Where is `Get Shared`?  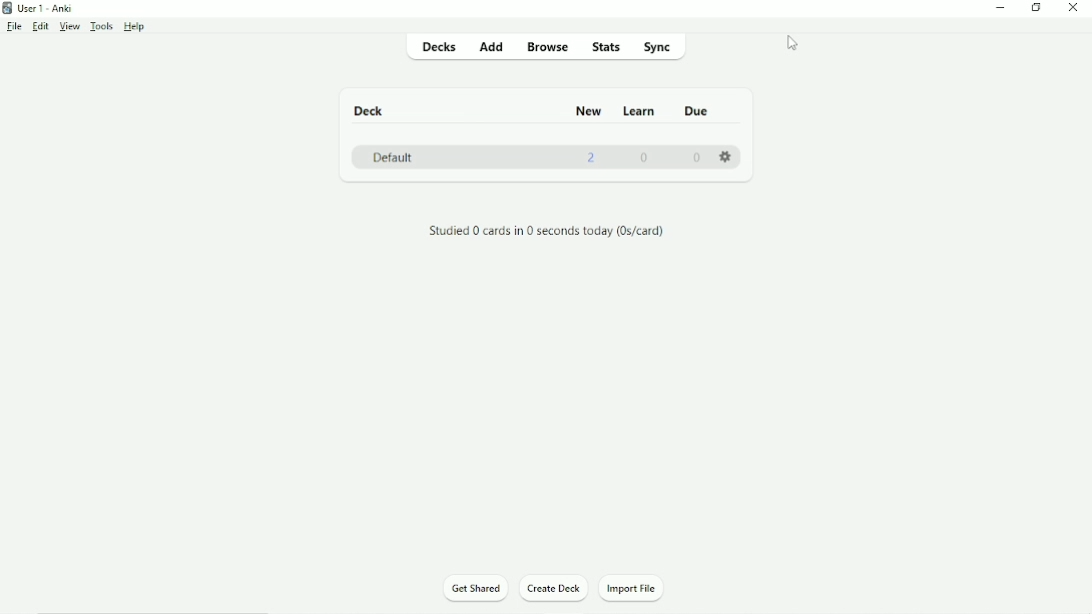
Get Shared is located at coordinates (476, 589).